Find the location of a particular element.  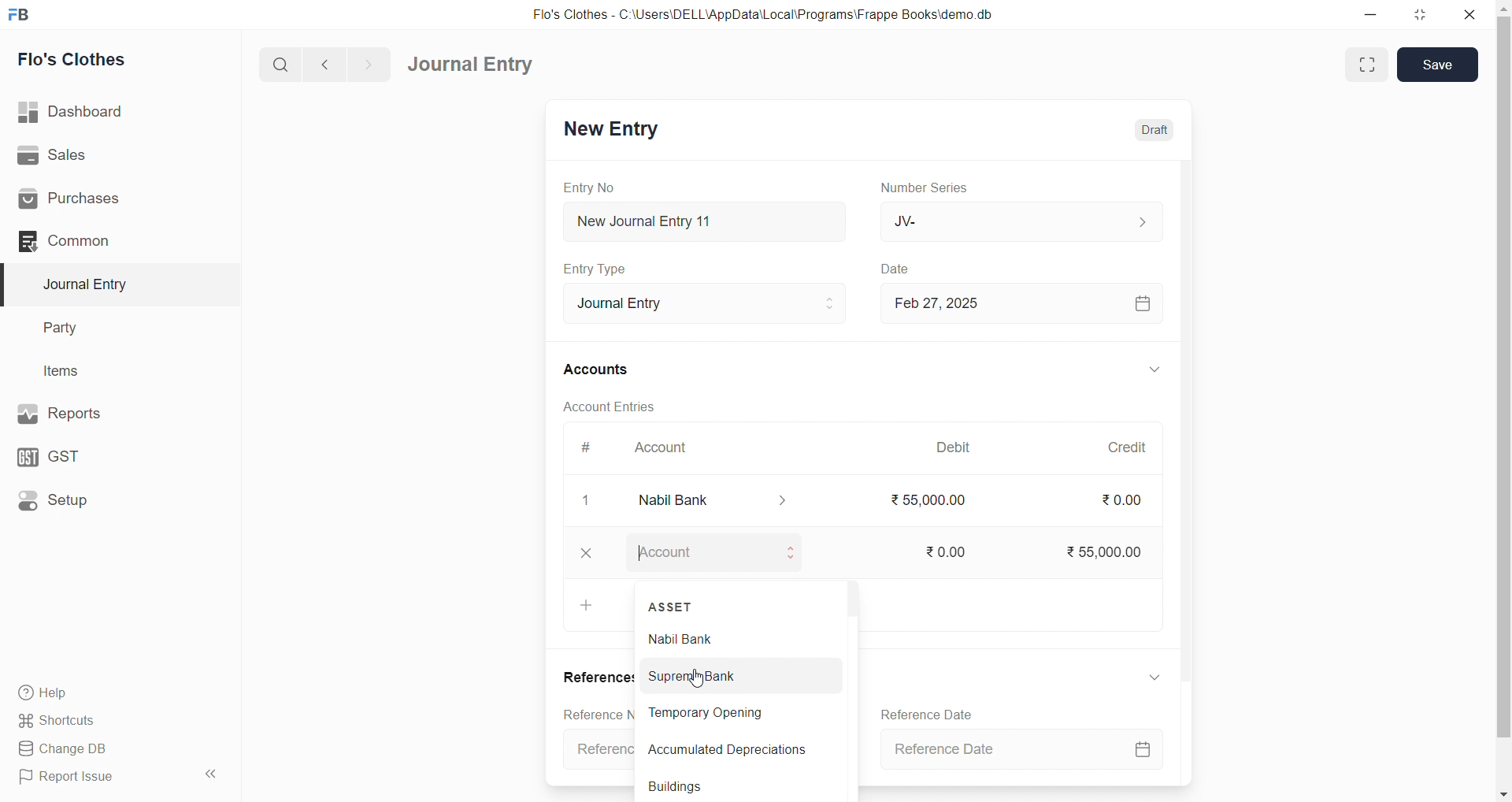

₹0.00 is located at coordinates (951, 552).